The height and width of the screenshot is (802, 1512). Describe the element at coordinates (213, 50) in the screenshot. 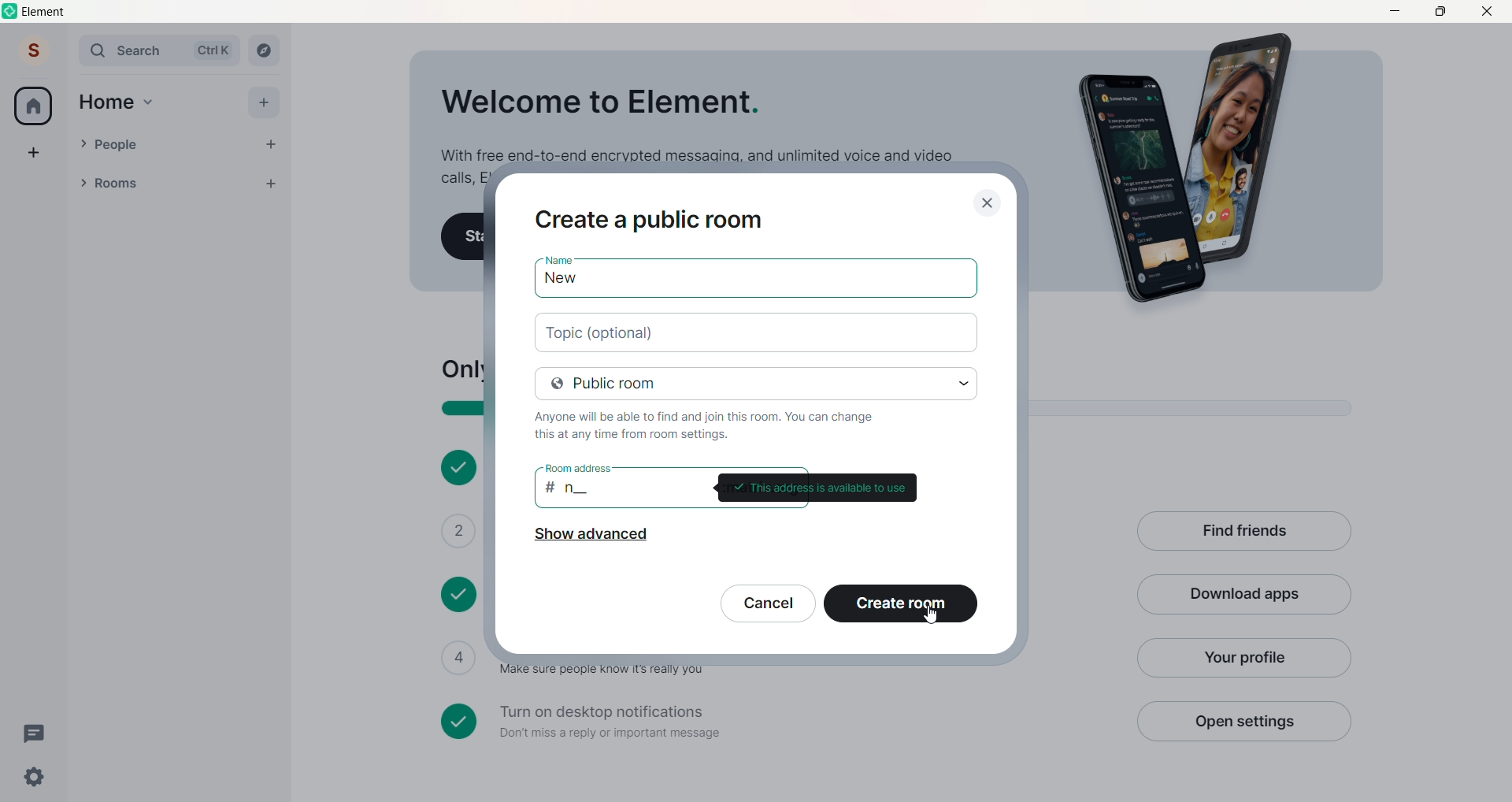

I see `Ctrl K` at that location.